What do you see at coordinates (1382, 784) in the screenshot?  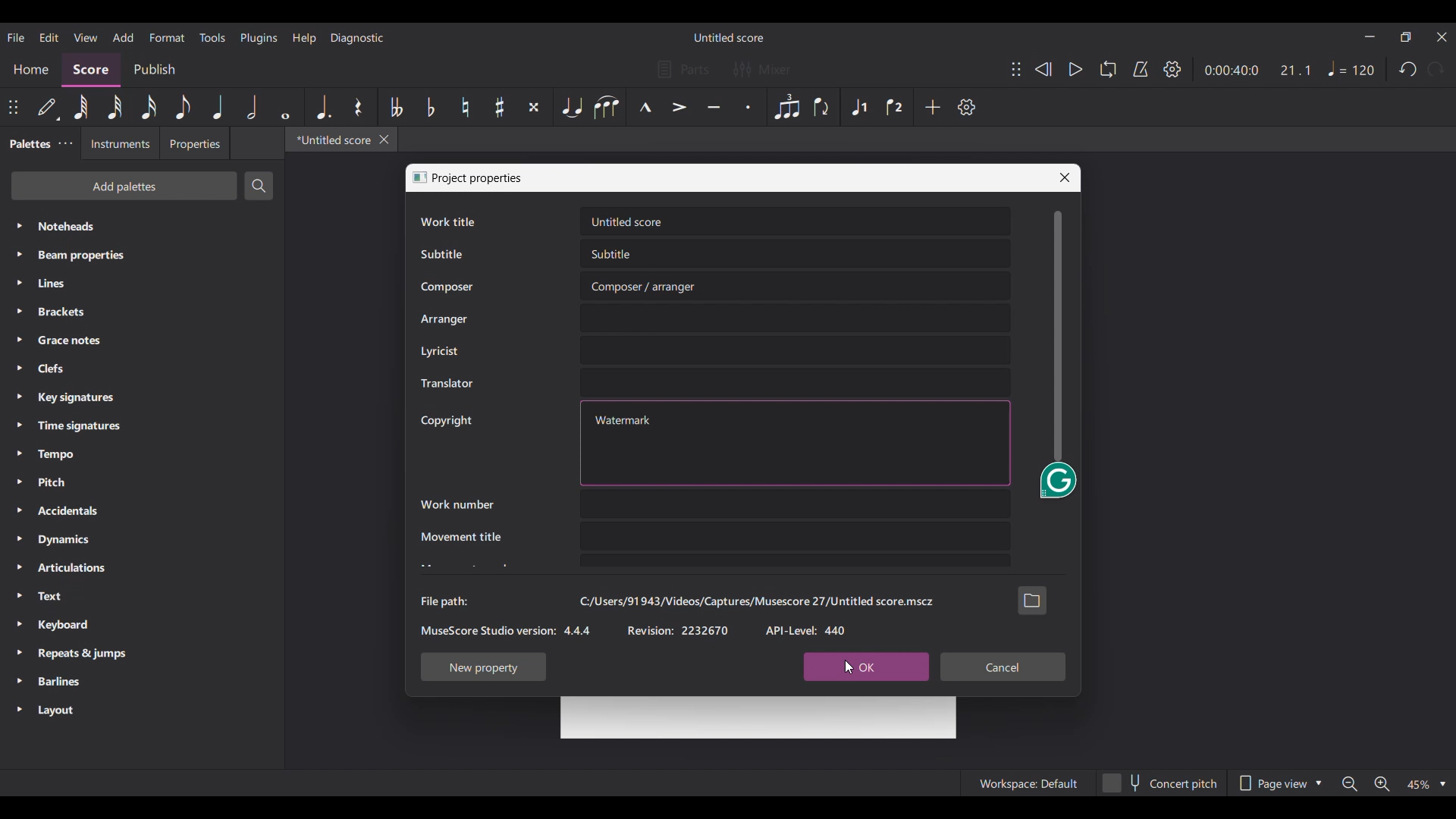 I see `Zoom in` at bounding box center [1382, 784].